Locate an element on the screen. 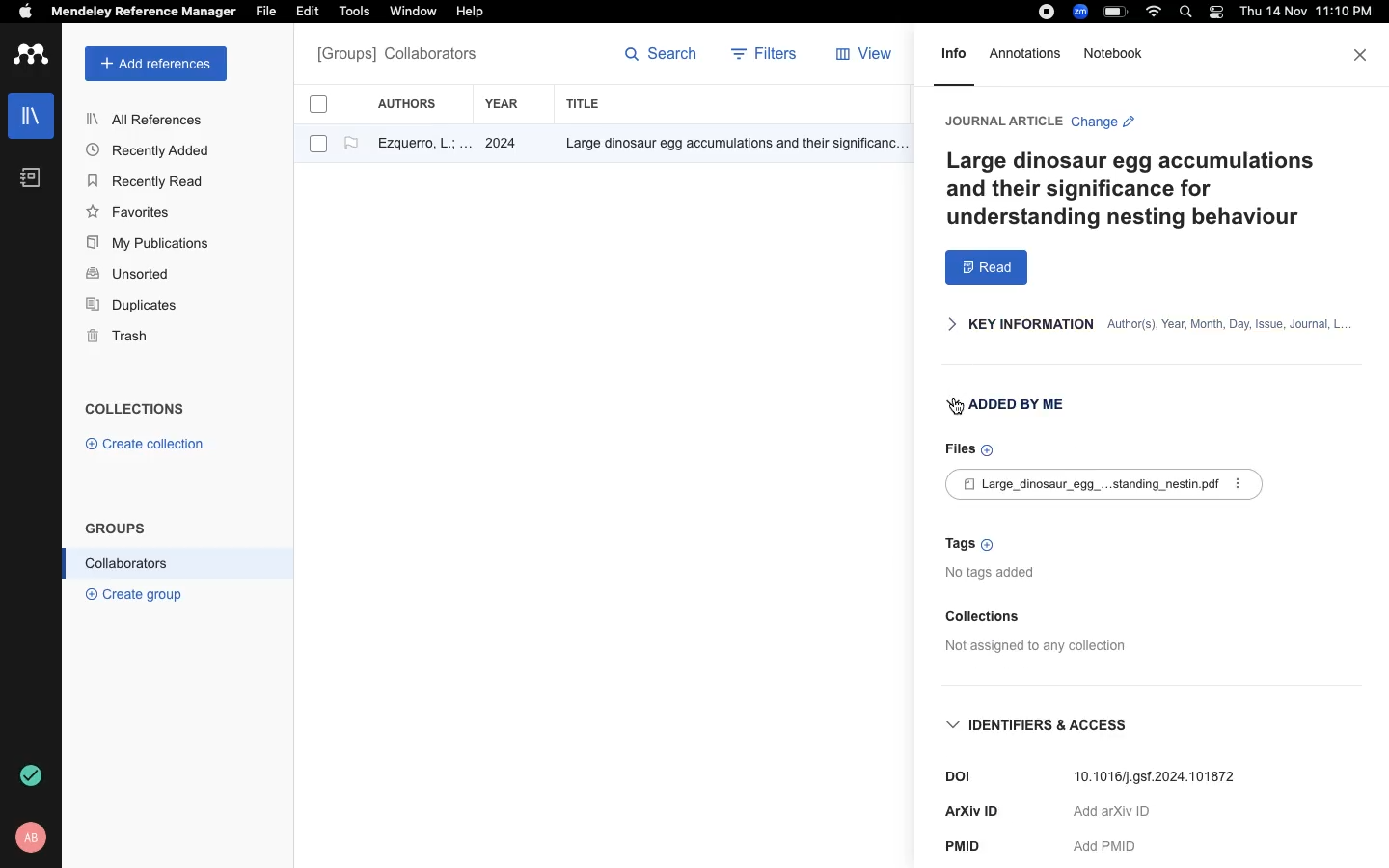 The width and height of the screenshot is (1389, 868). Collaborators is located at coordinates (127, 563).